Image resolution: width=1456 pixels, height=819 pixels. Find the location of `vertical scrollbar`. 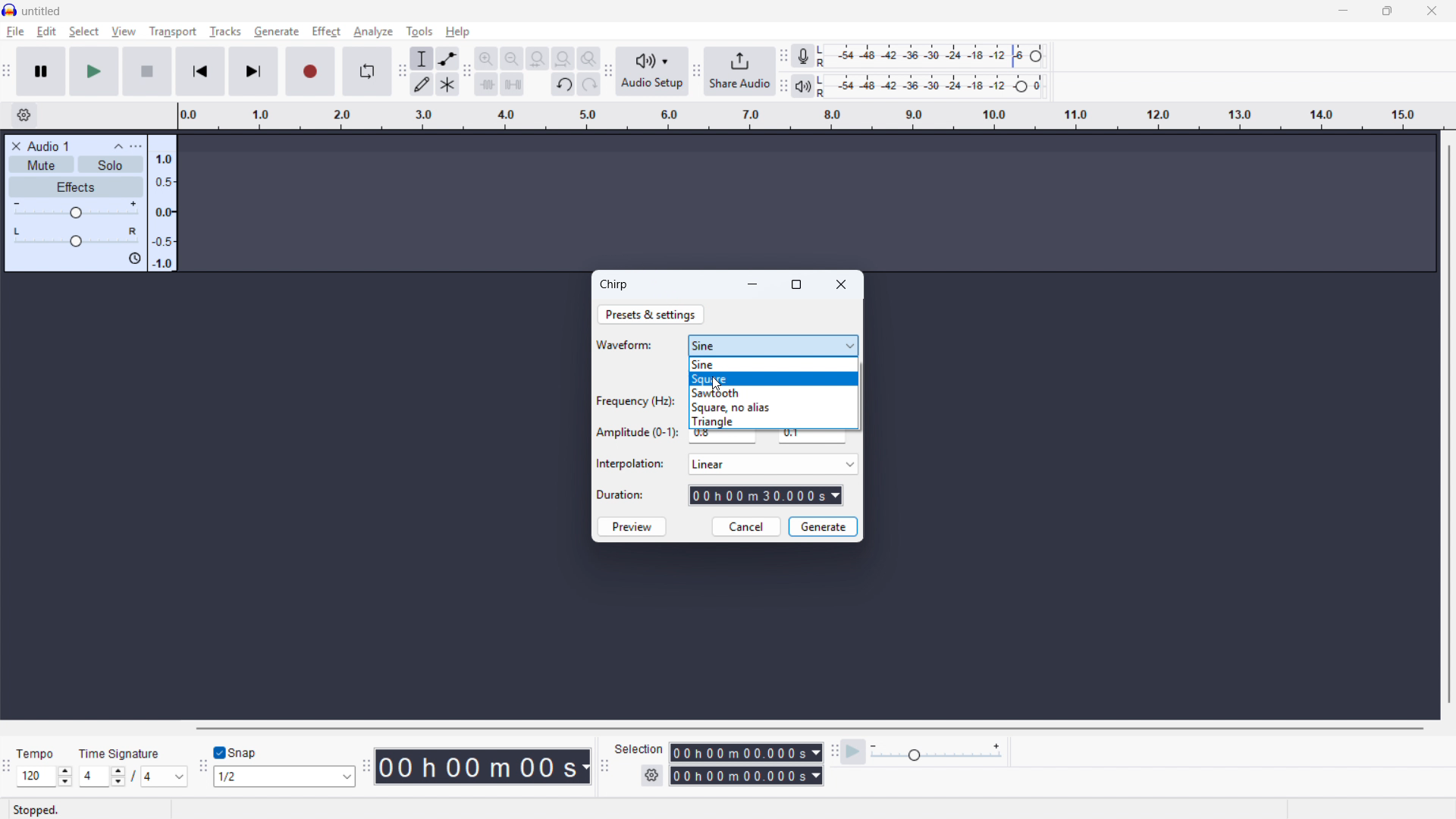

vertical scrollbar is located at coordinates (1449, 424).